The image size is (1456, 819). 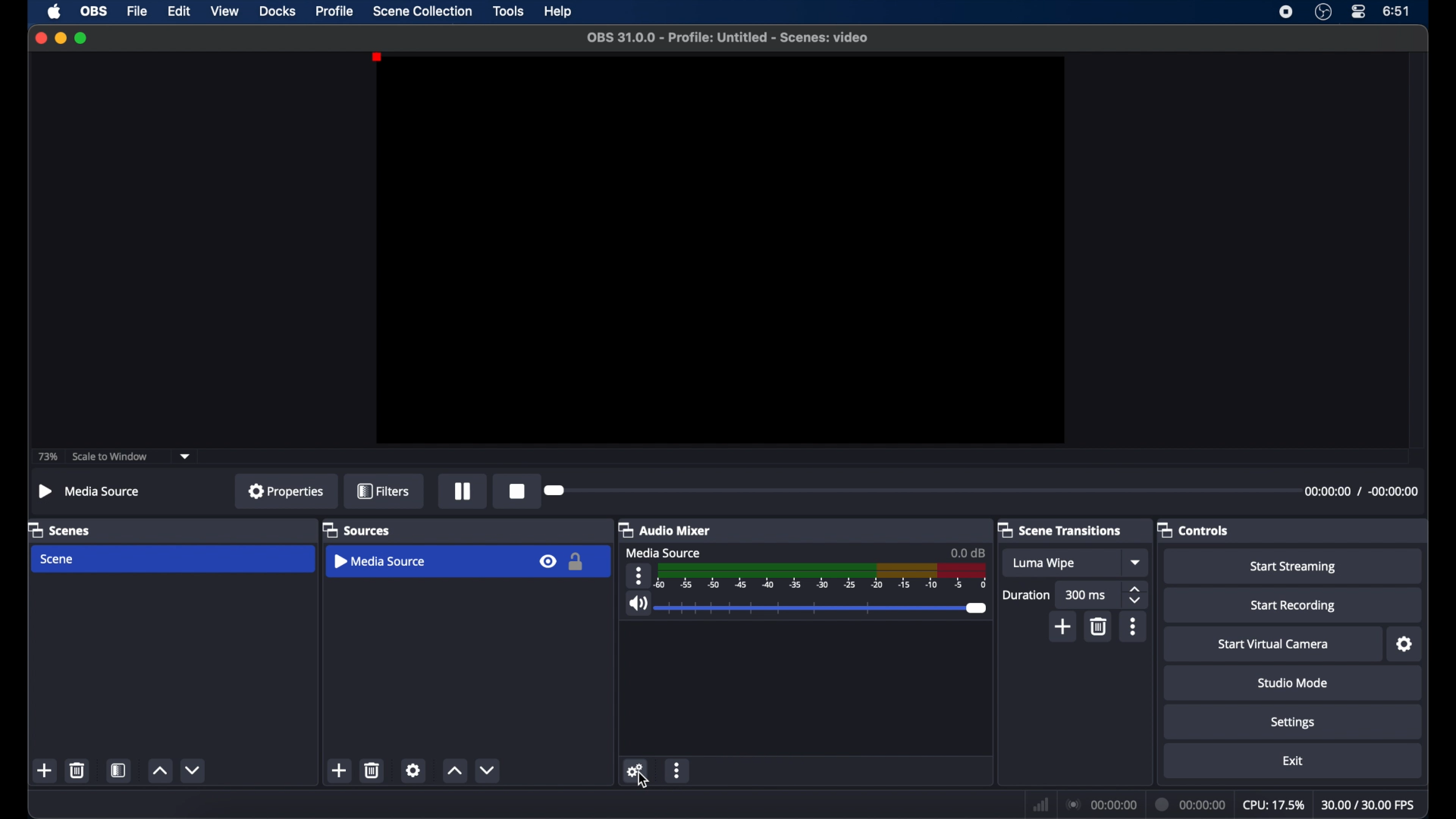 I want to click on timestamps, so click(x=1361, y=492).